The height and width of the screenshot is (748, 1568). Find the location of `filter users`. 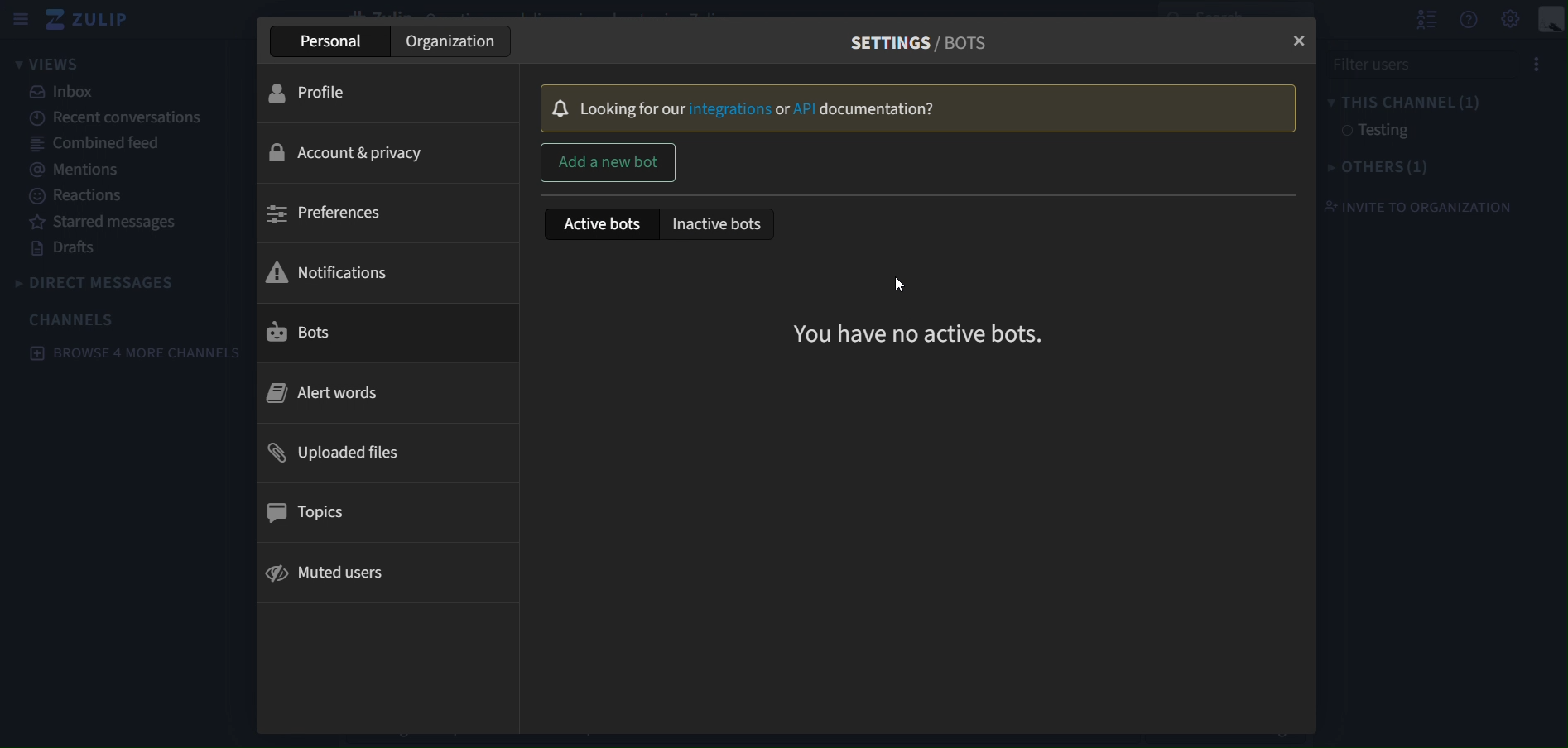

filter users is located at coordinates (1440, 63).